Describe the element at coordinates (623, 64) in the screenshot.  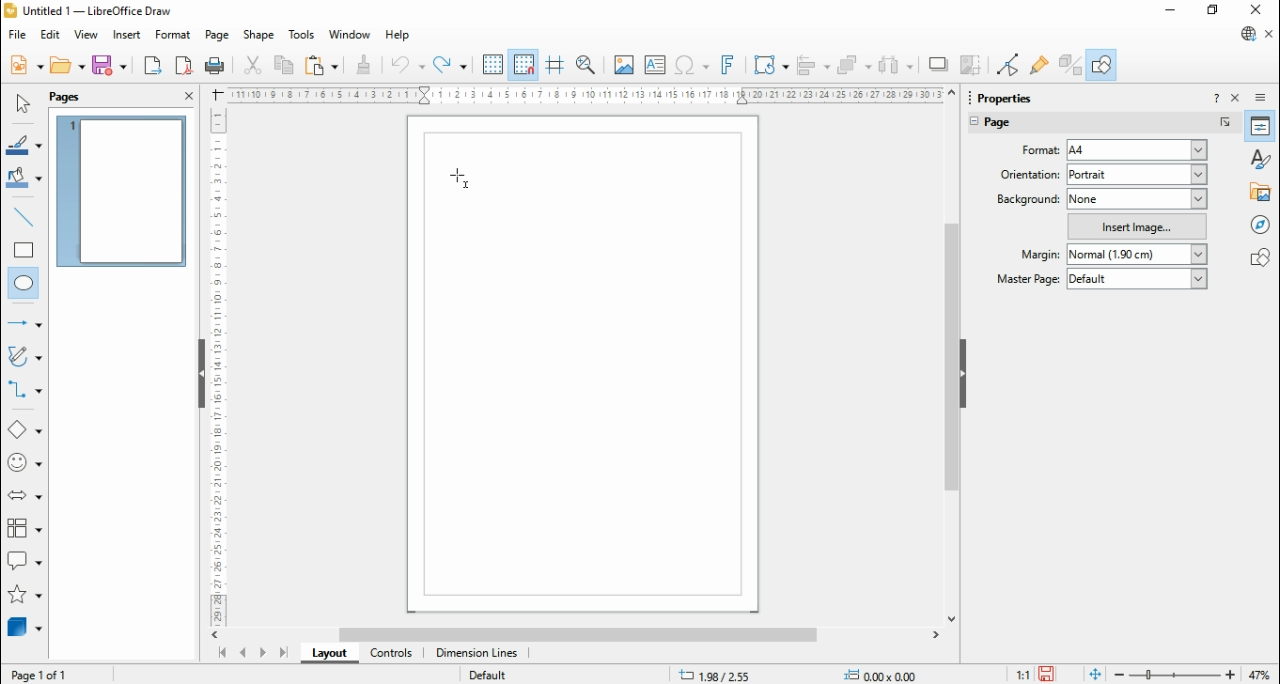
I see `insert image` at that location.